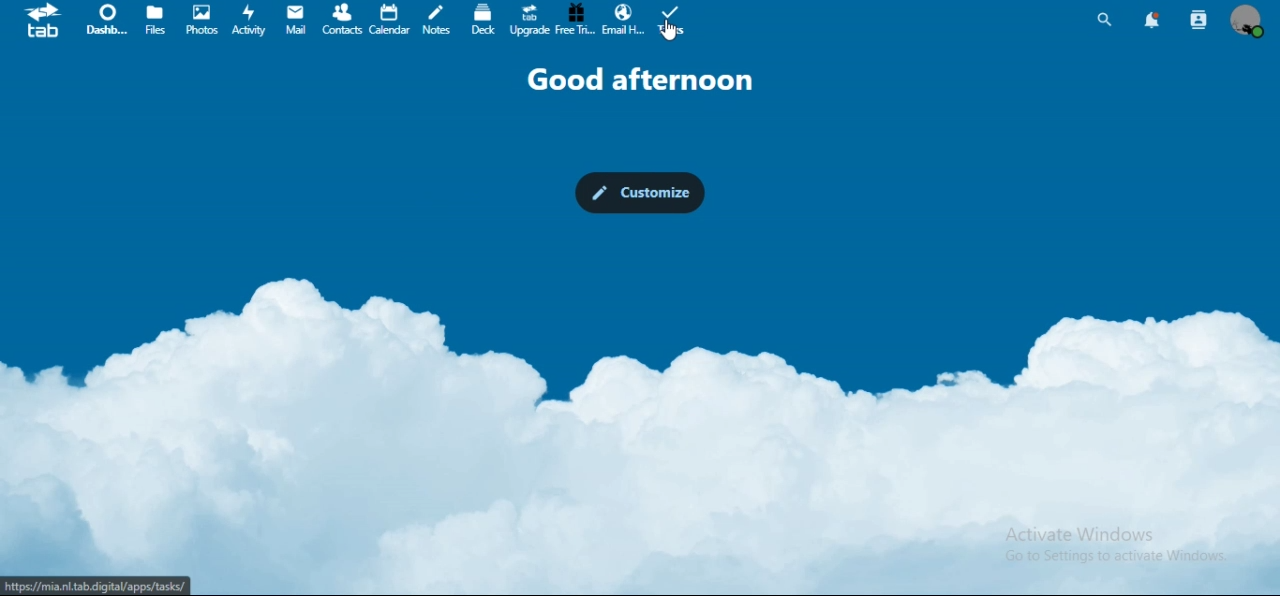  I want to click on free trial, so click(574, 19).